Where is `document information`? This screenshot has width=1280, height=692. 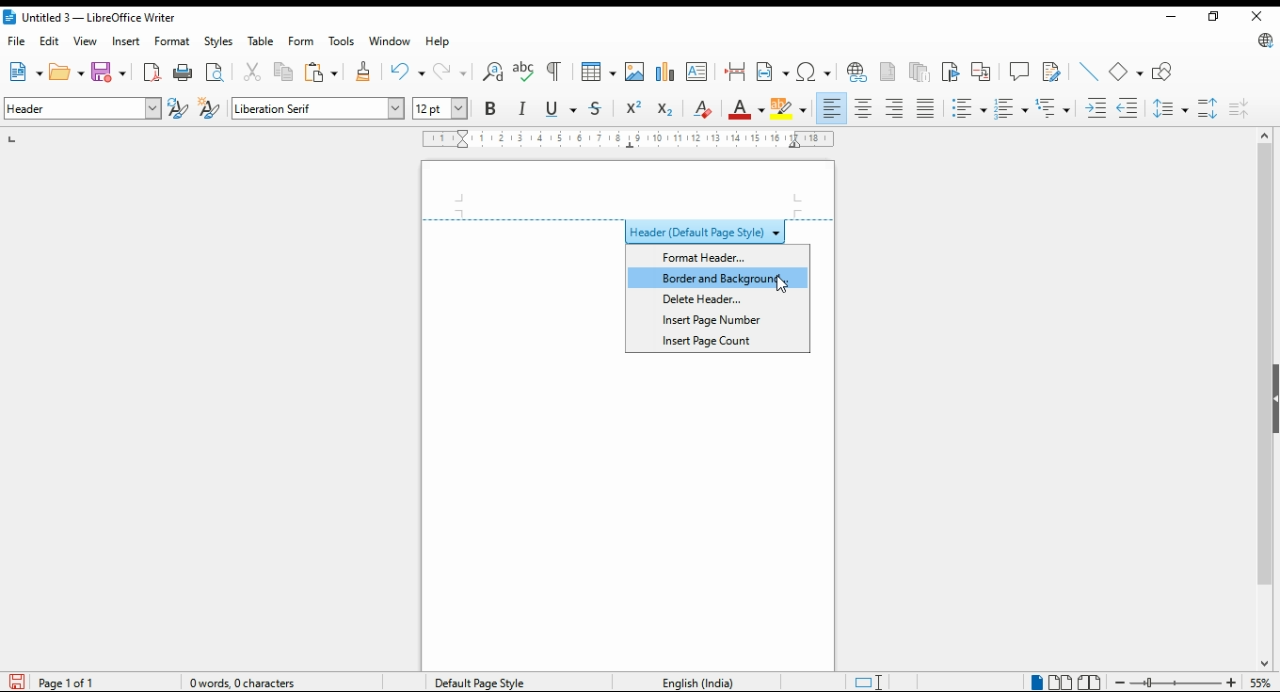
document information is located at coordinates (250, 682).